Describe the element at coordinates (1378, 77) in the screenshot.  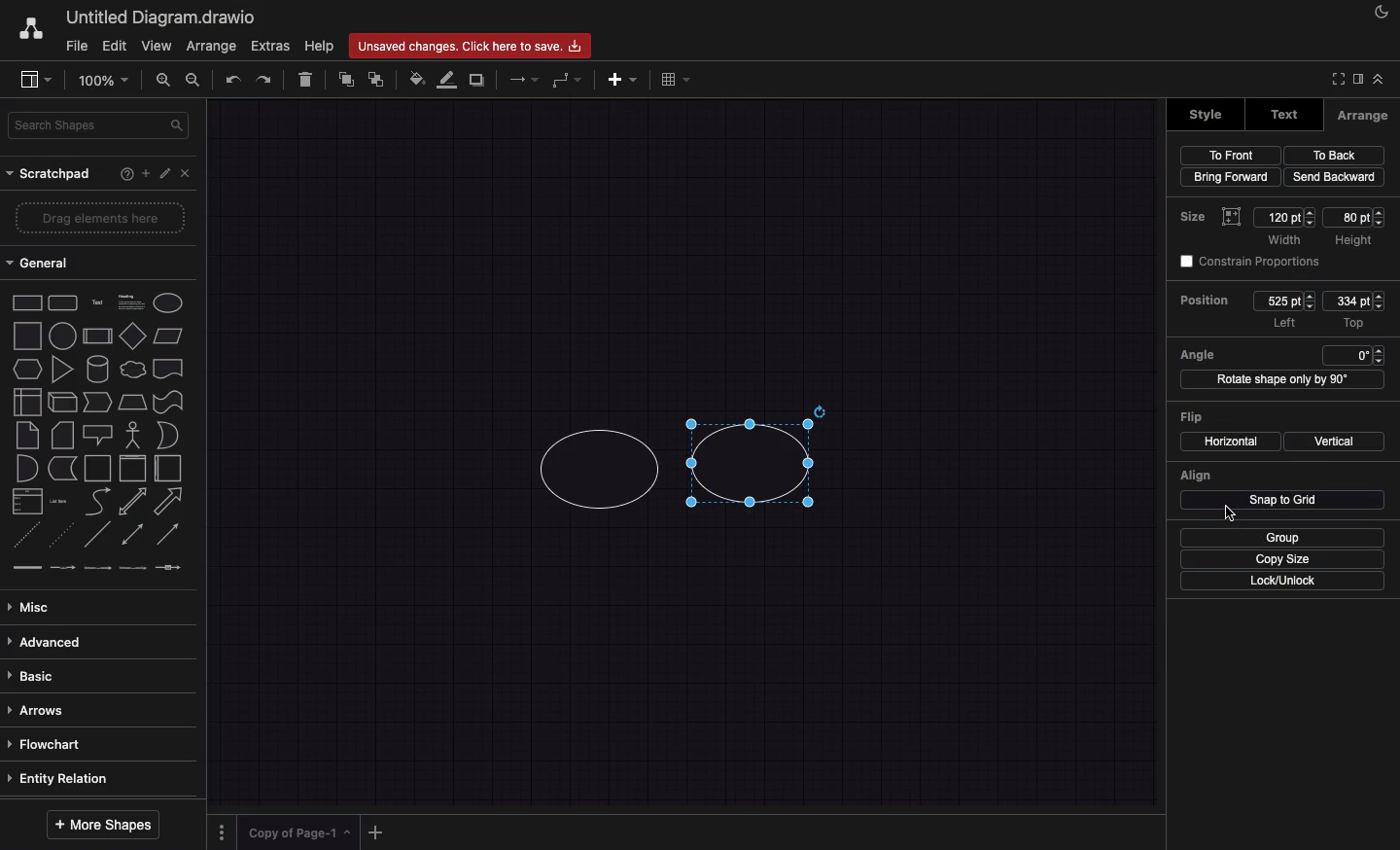
I see `collapse/expand` at that location.